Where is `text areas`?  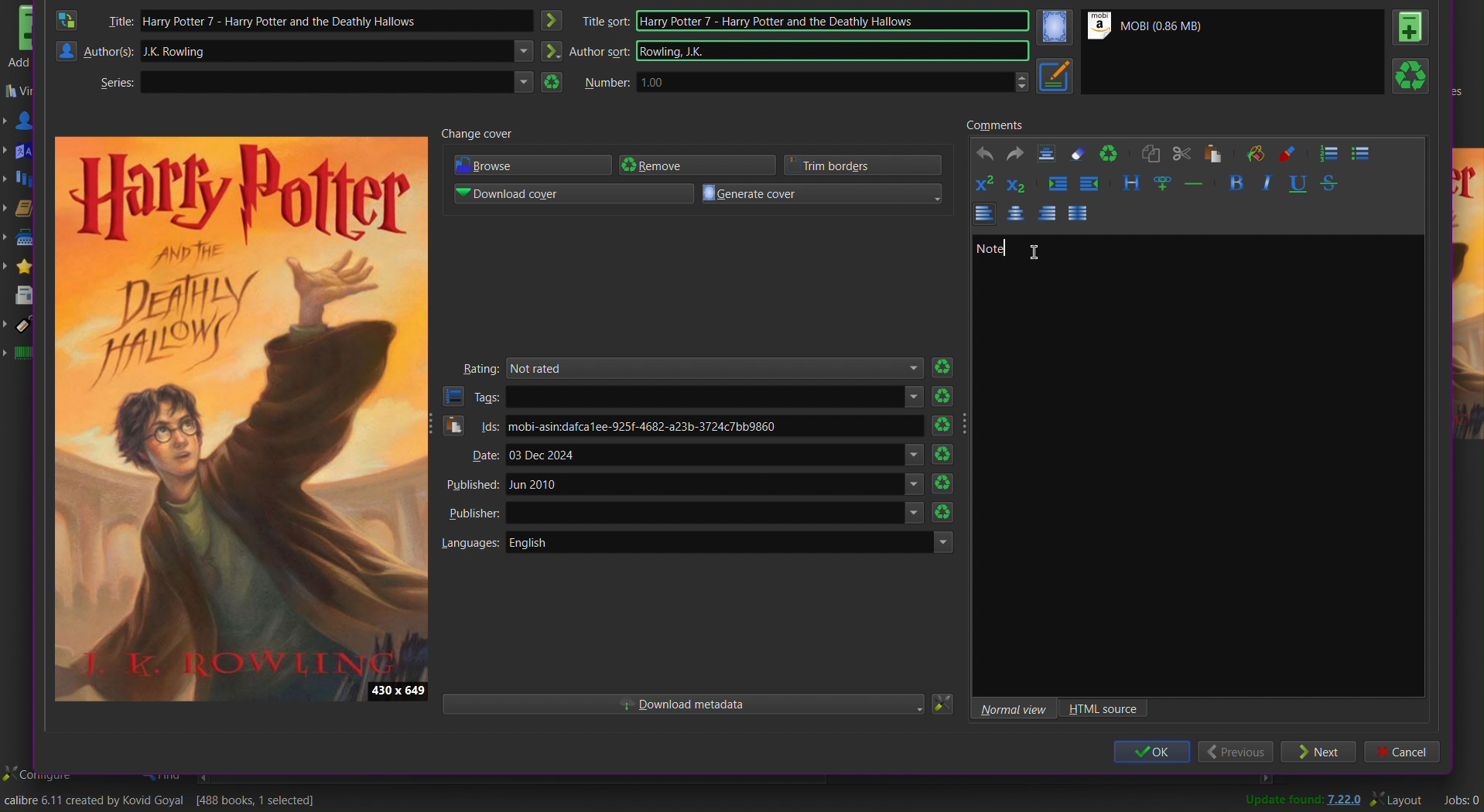 text areas is located at coordinates (716, 397).